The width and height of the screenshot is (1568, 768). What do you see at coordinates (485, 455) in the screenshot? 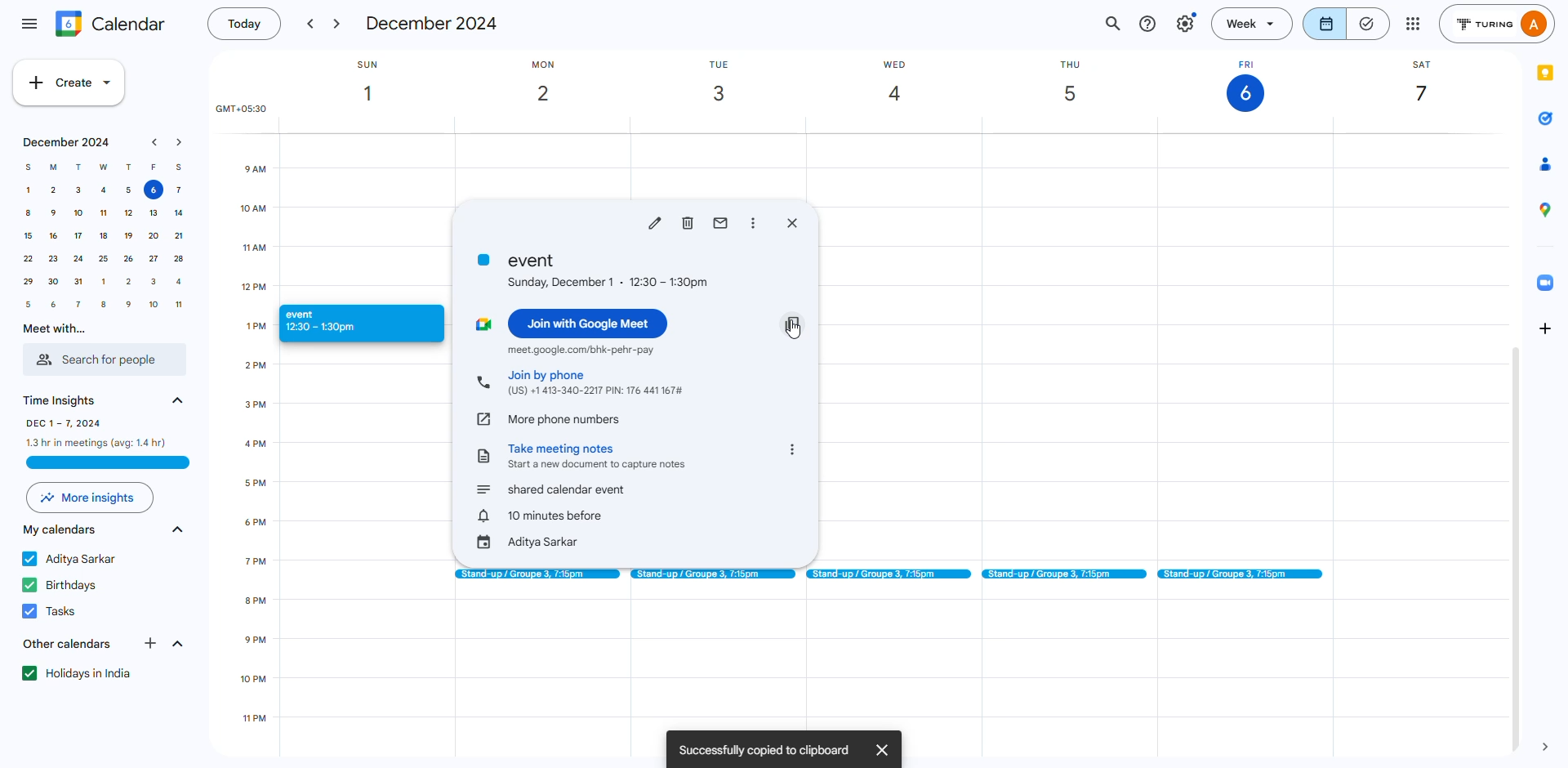
I see `note` at bounding box center [485, 455].